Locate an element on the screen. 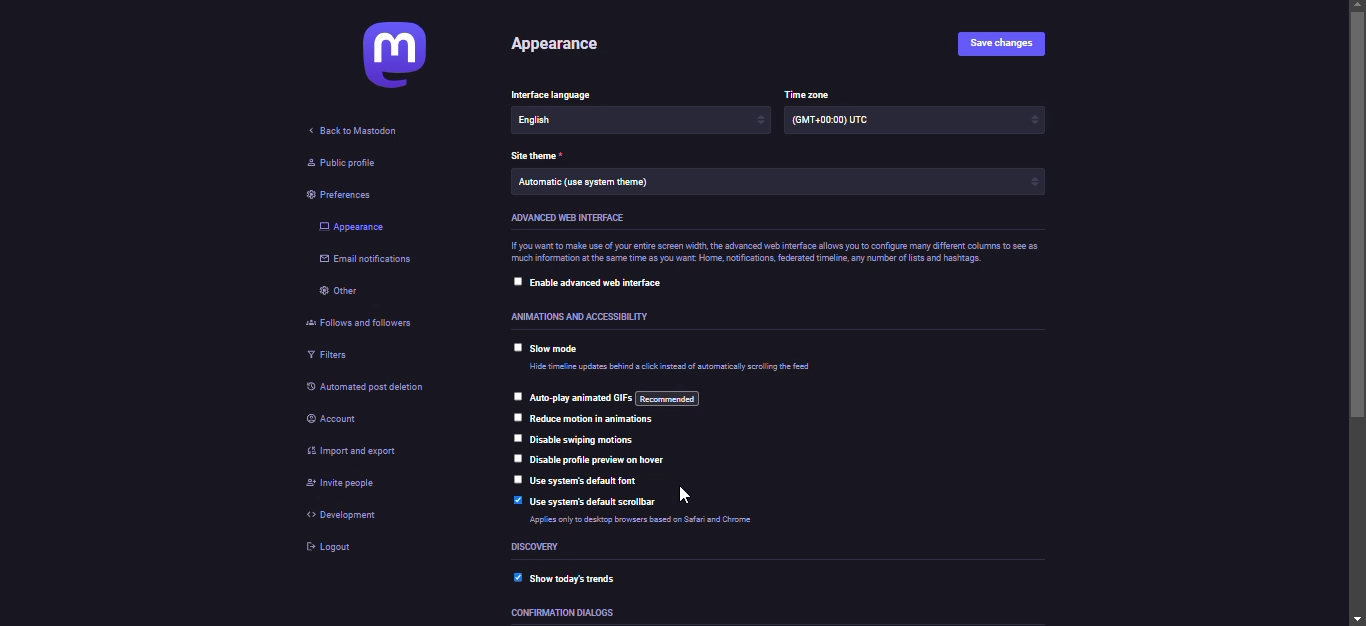  theme is located at coordinates (594, 182).